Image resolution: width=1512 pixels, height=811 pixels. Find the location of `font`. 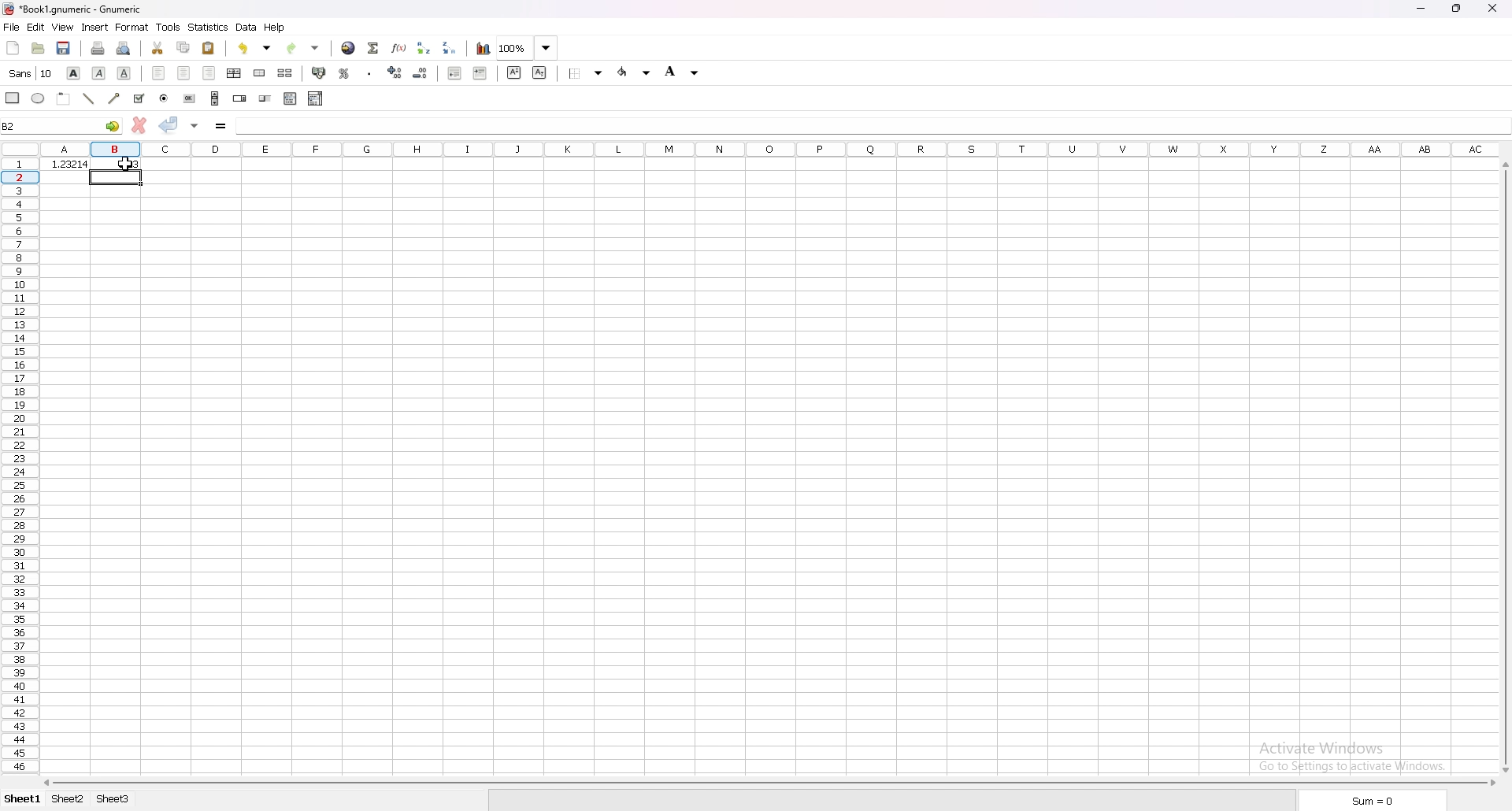

font is located at coordinates (32, 73).